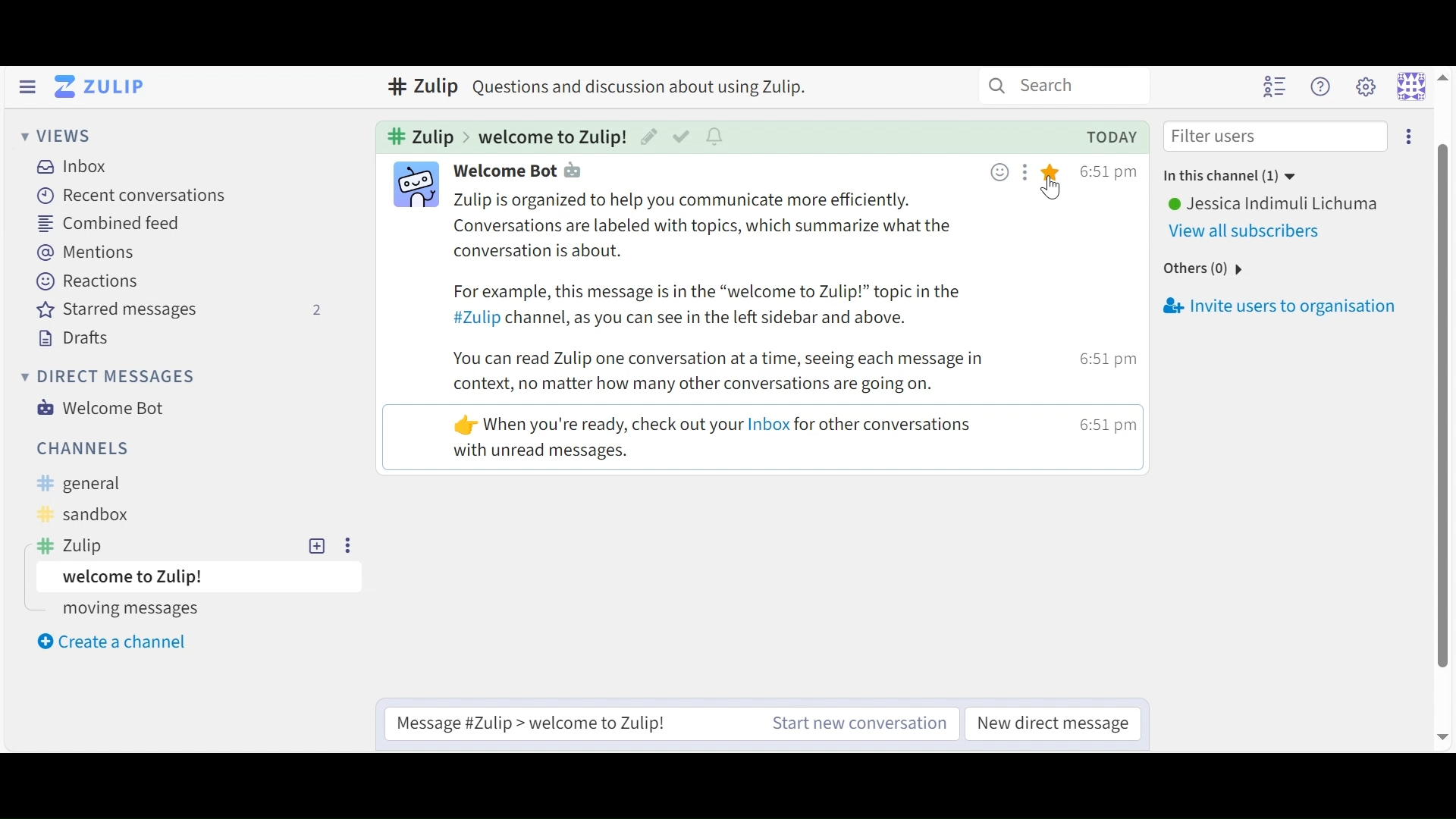  What do you see at coordinates (1053, 189) in the screenshot?
I see `Cursor` at bounding box center [1053, 189].